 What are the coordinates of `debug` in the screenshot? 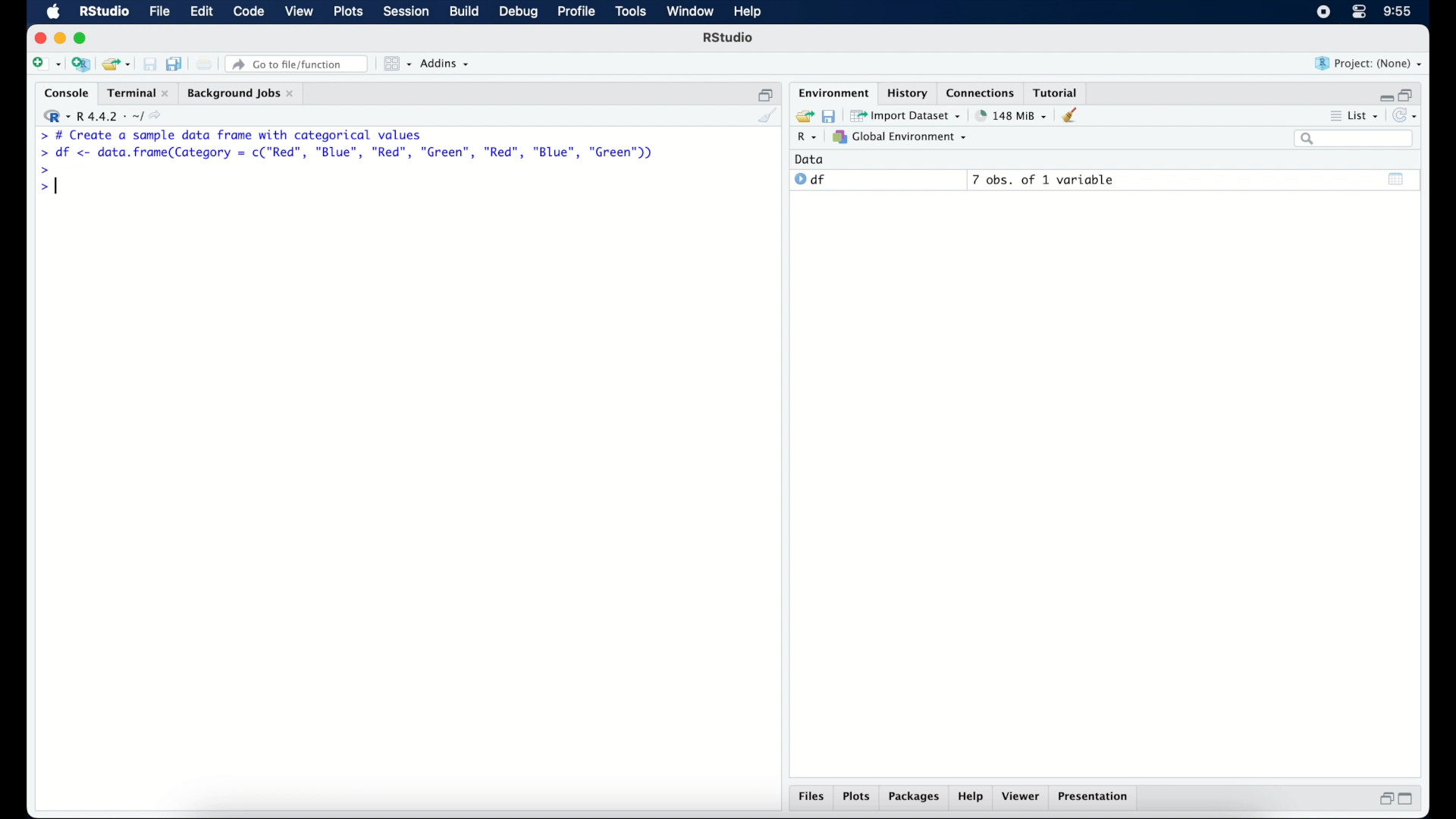 It's located at (517, 13).